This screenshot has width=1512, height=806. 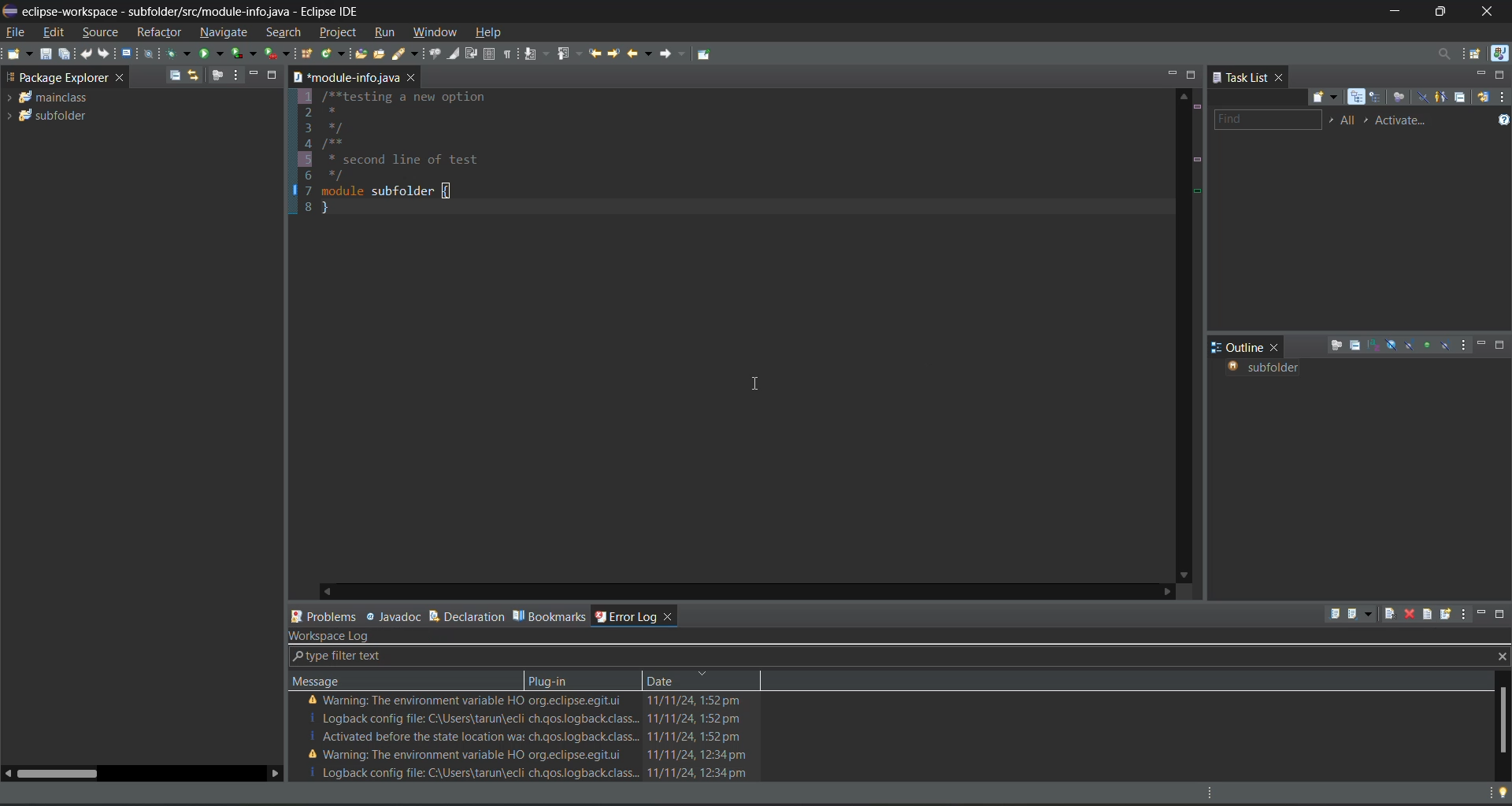 I want to click on show tasks UI legend, so click(x=1502, y=119).